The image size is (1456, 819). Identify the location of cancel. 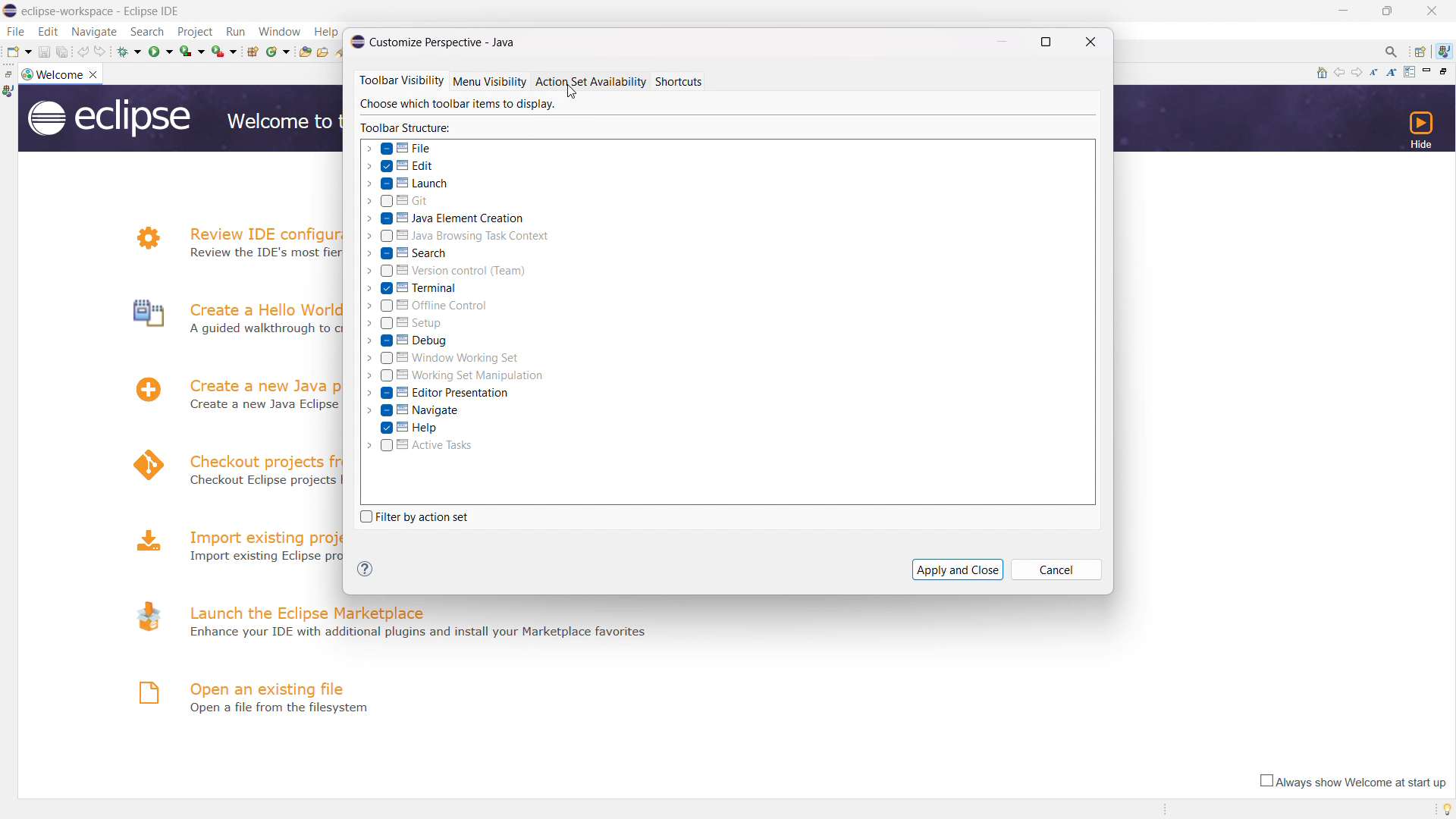
(1057, 569).